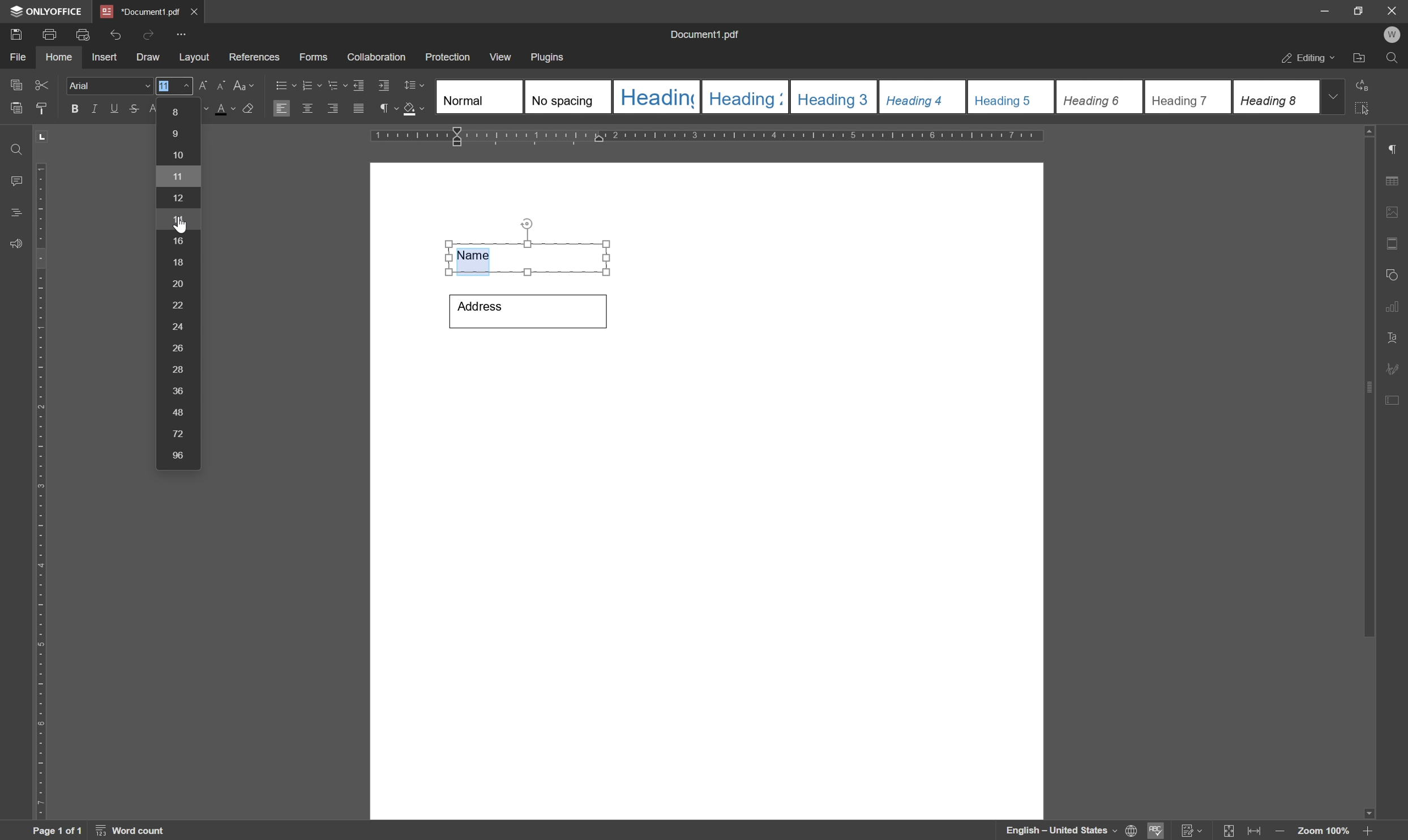 This screenshot has height=840, width=1408. I want to click on ruler, so click(40, 488).